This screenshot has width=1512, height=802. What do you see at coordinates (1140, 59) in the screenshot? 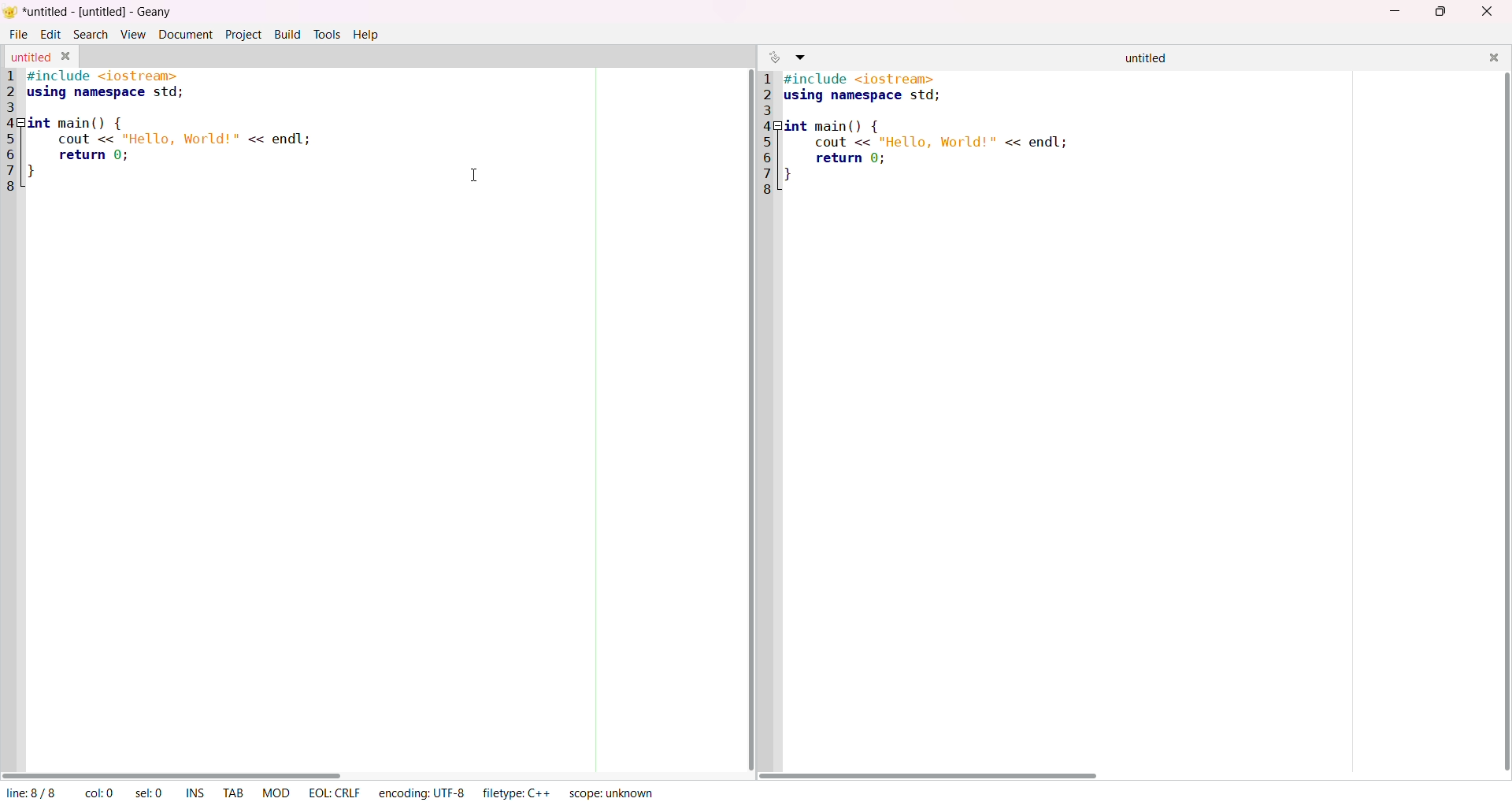
I see `untitled` at bounding box center [1140, 59].